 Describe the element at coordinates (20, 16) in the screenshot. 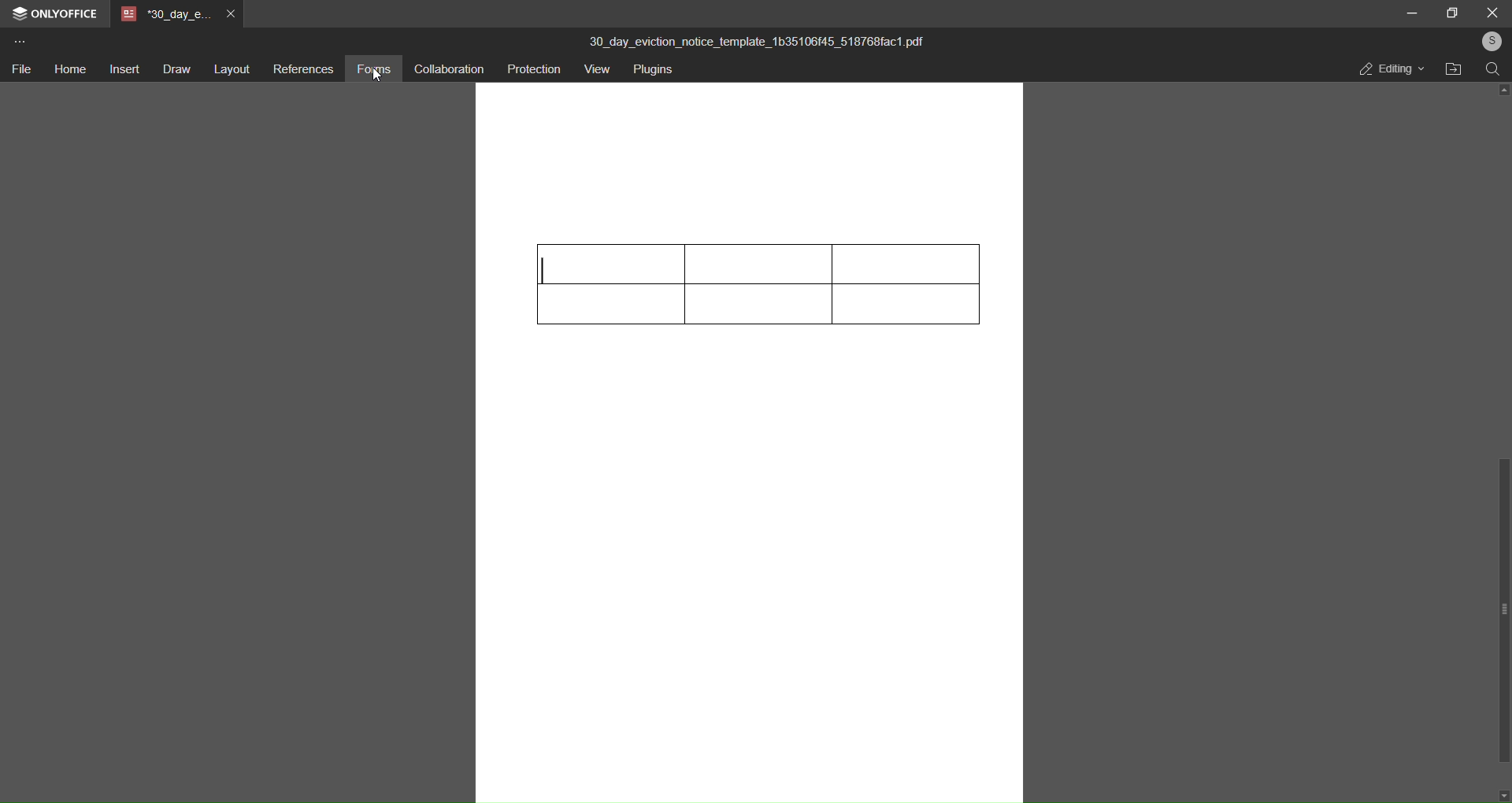

I see `logo` at that location.